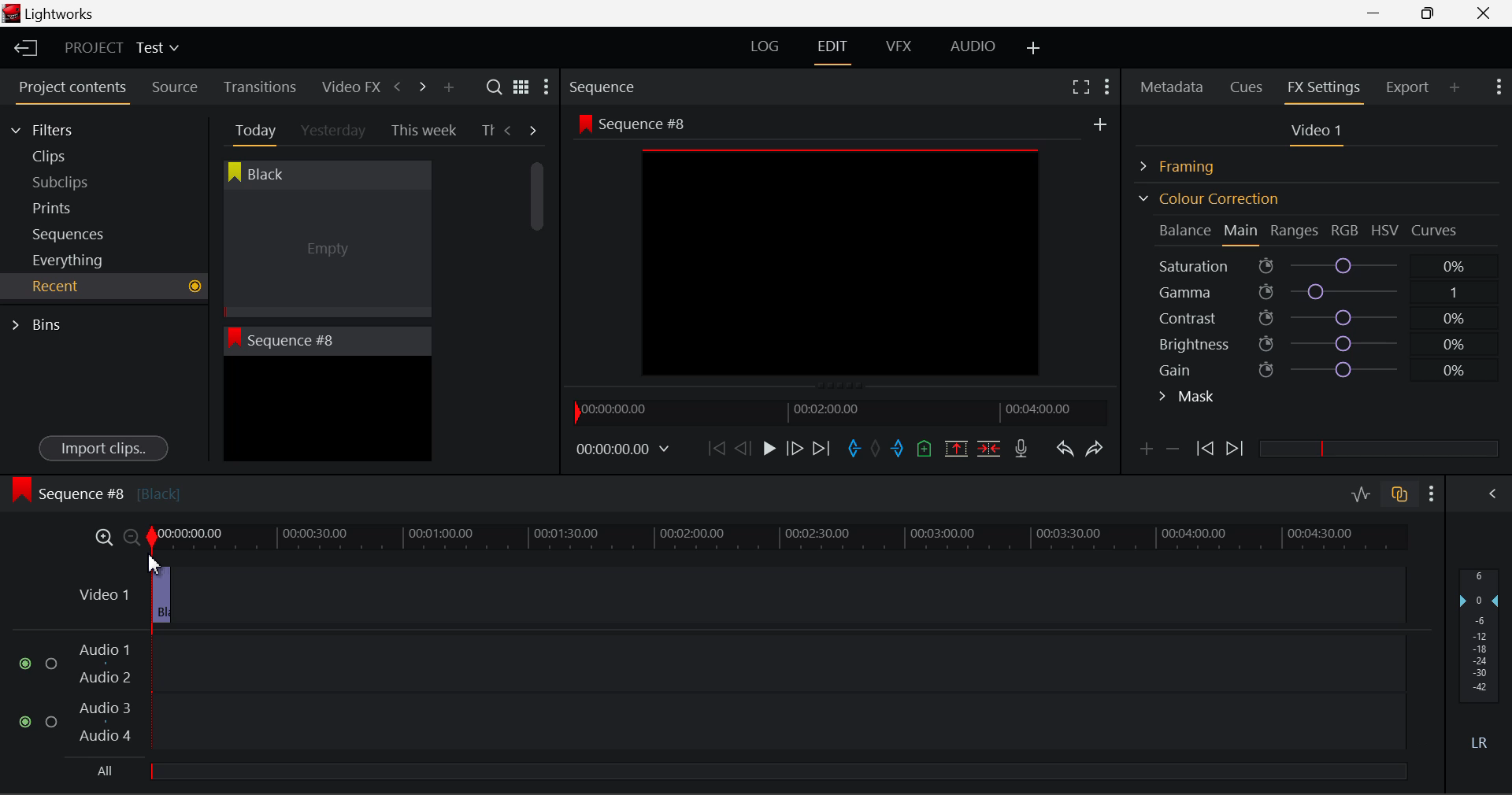  What do you see at coordinates (728, 596) in the screenshot?
I see `Clip 2 Deleted` at bounding box center [728, 596].